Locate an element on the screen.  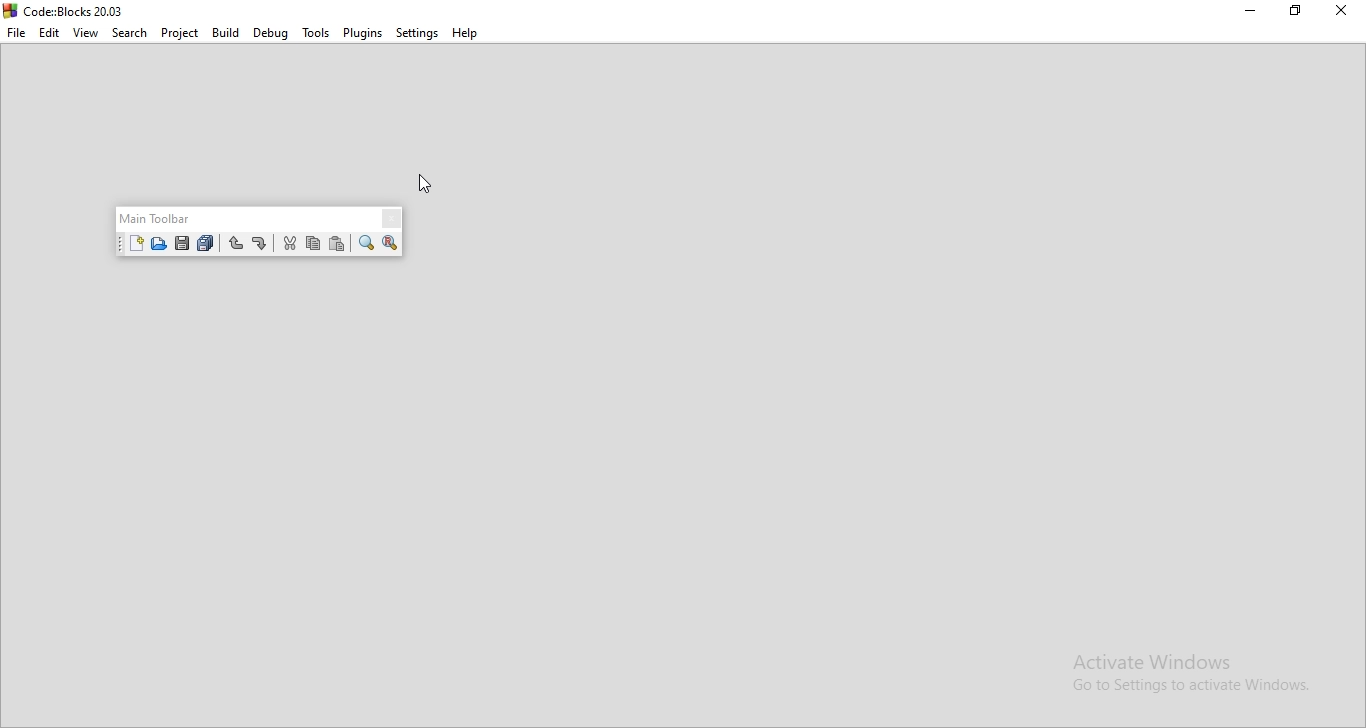
Tools  is located at coordinates (317, 33).